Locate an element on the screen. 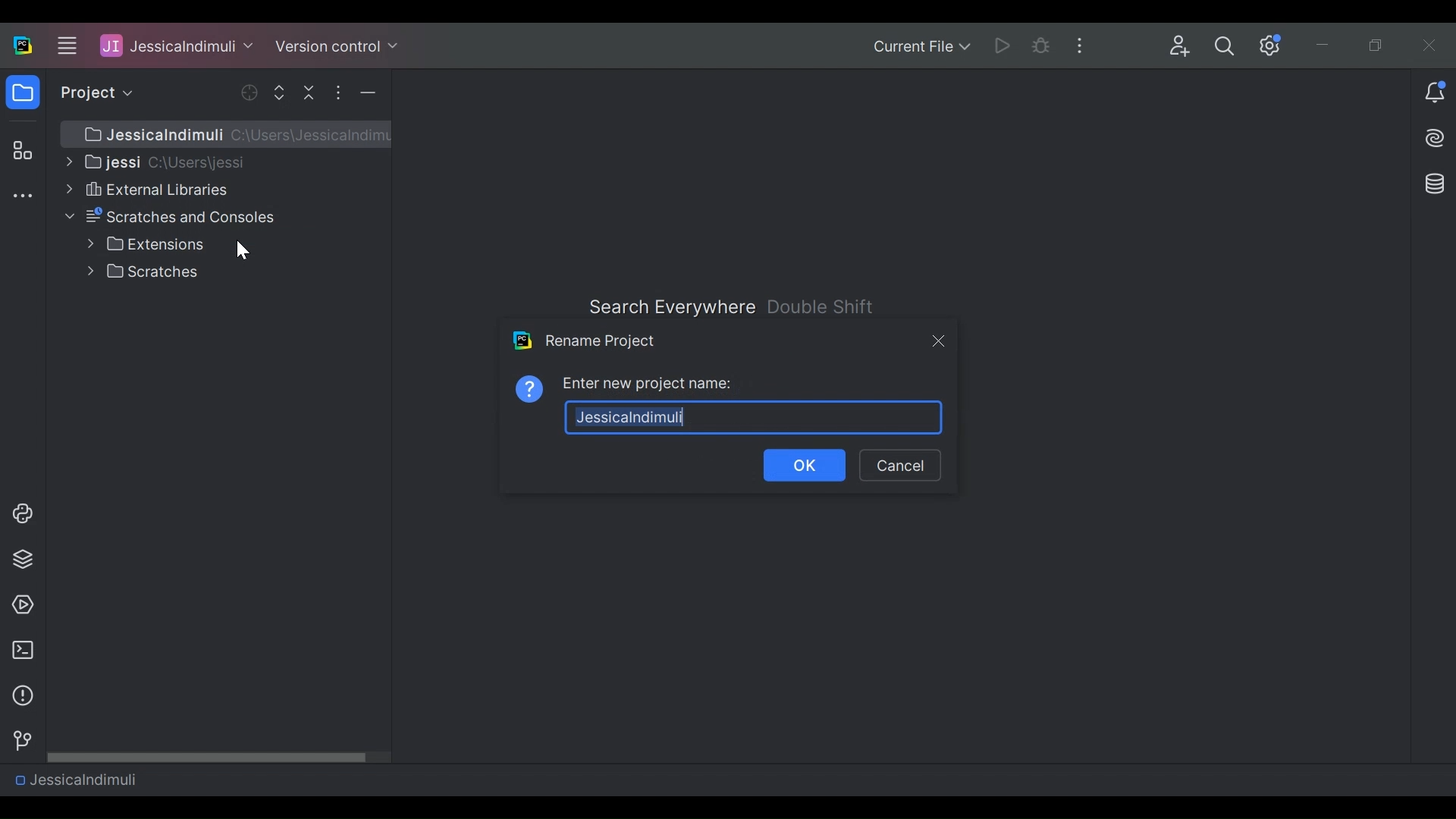 The height and width of the screenshot is (819, 1456). Run is located at coordinates (1005, 45).